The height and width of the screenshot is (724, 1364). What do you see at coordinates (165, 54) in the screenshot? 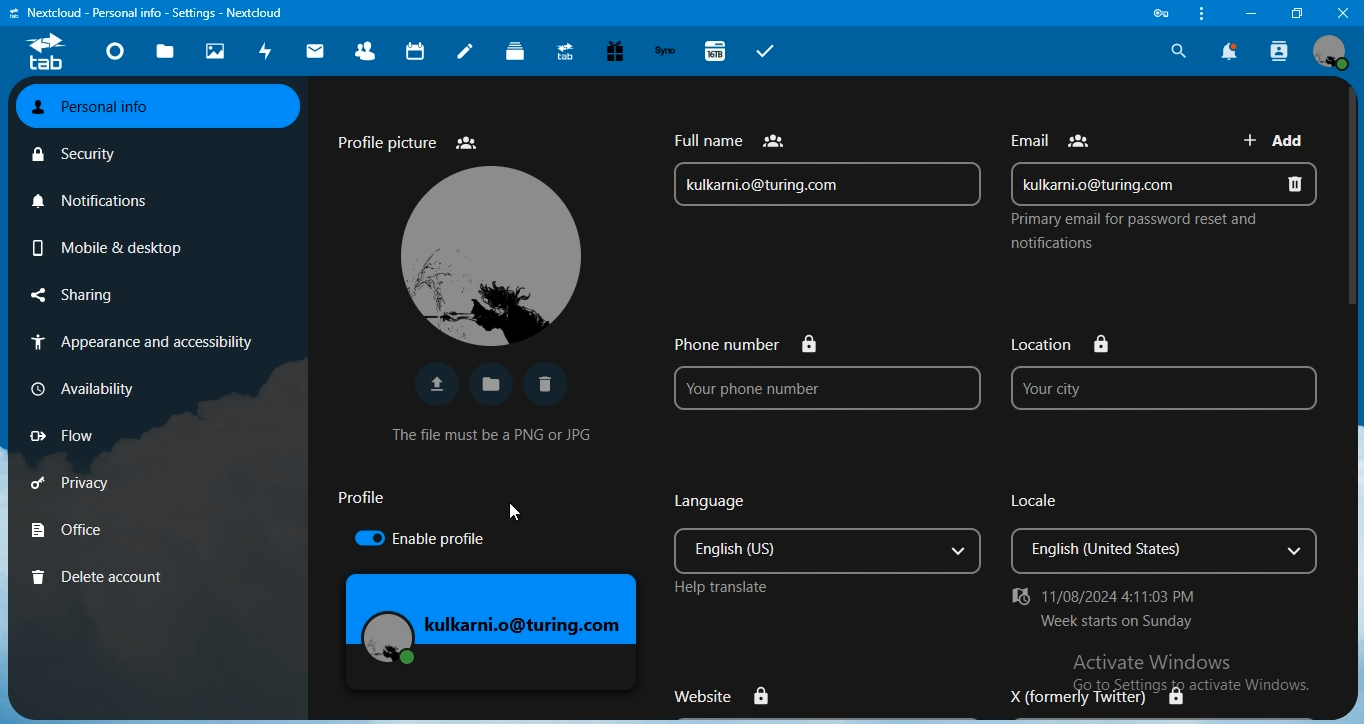
I see `files` at bounding box center [165, 54].